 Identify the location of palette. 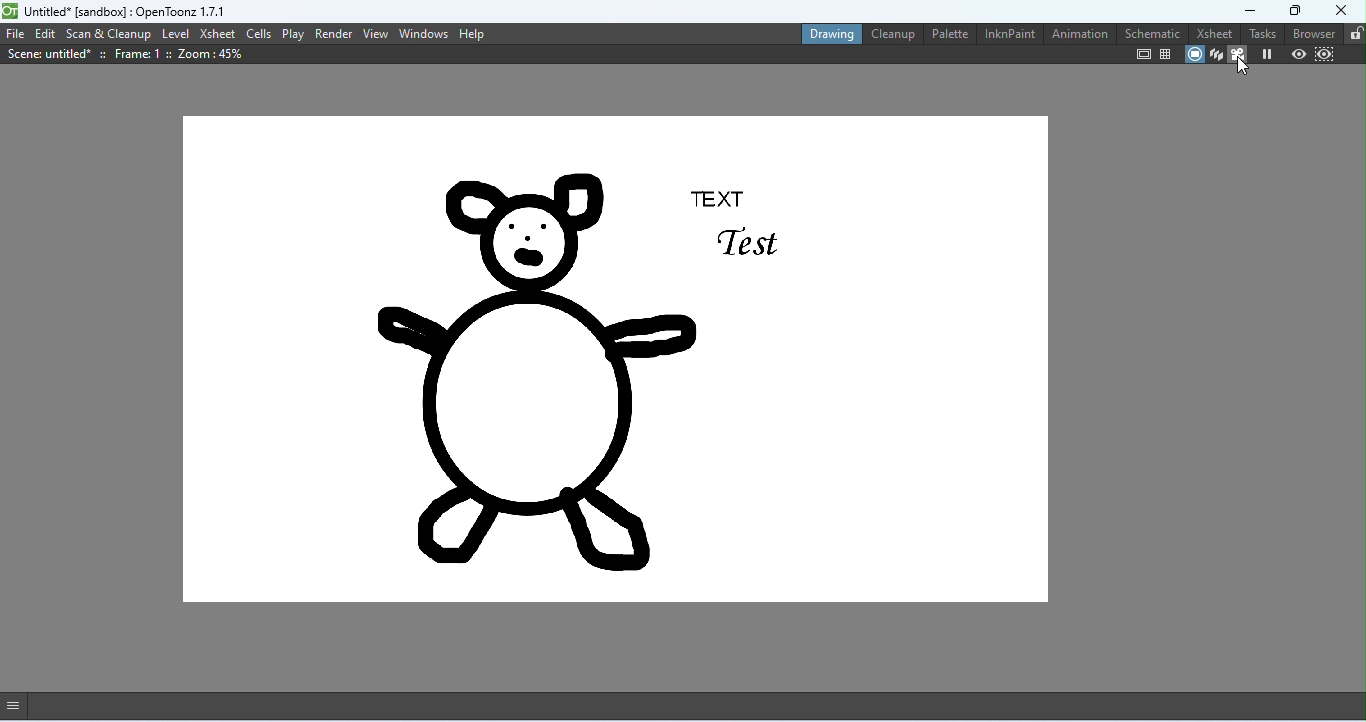
(947, 33).